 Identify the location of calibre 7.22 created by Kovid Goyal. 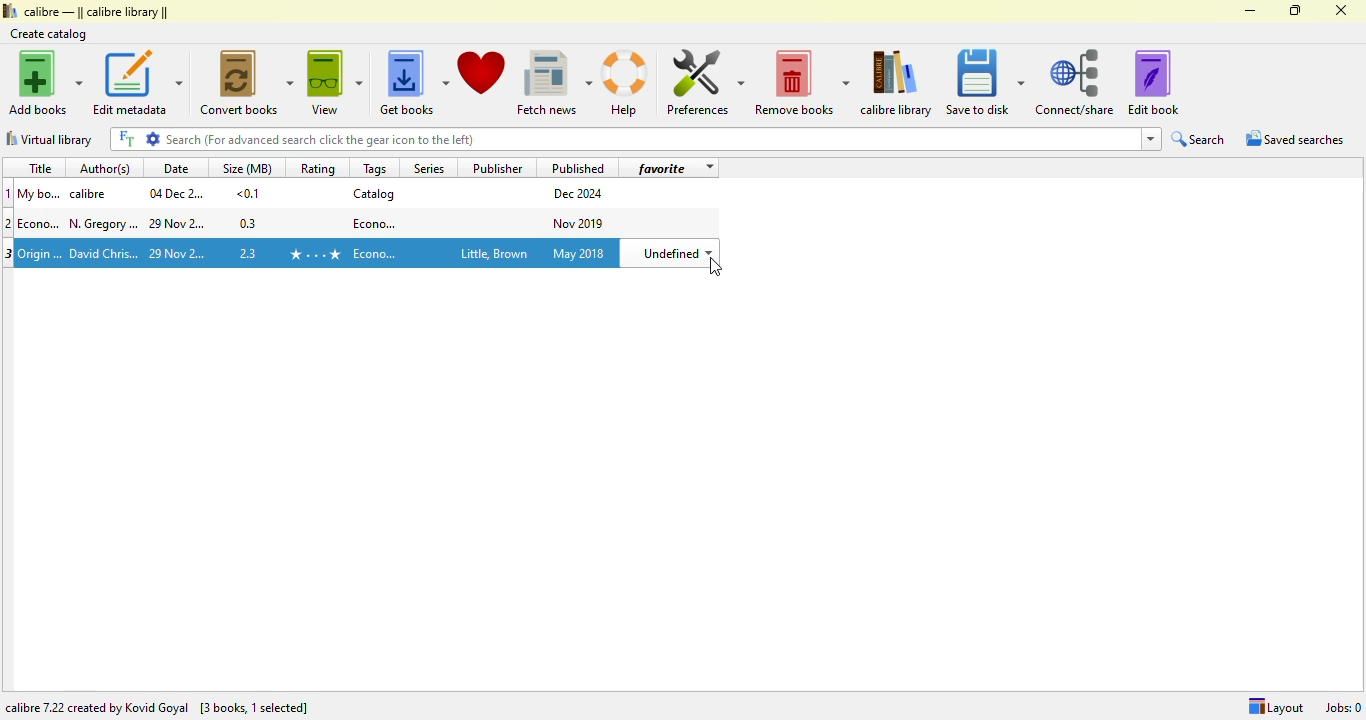
(97, 708).